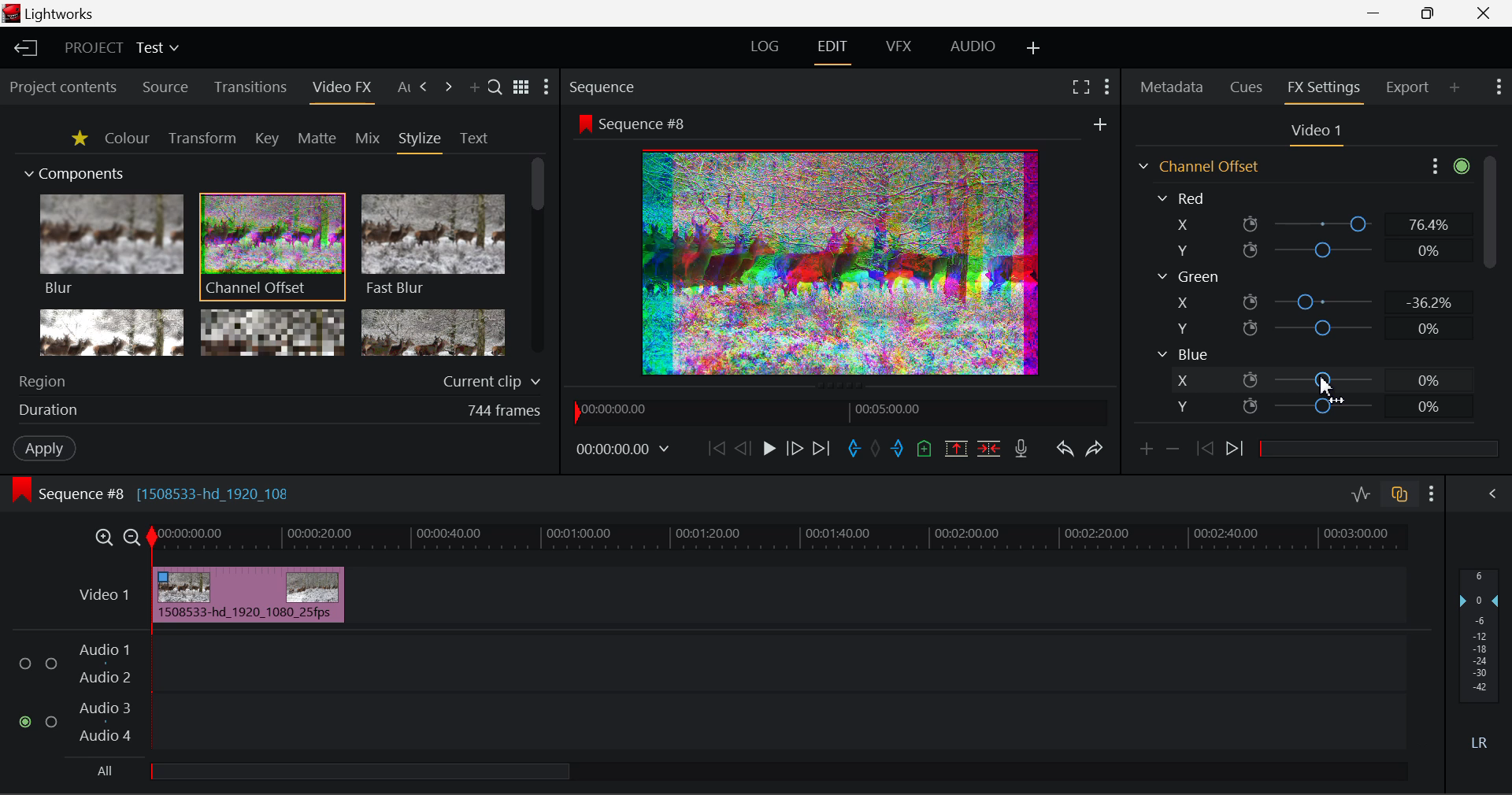  Describe the element at coordinates (780, 540) in the screenshot. I see `Project Timeline Track` at that location.